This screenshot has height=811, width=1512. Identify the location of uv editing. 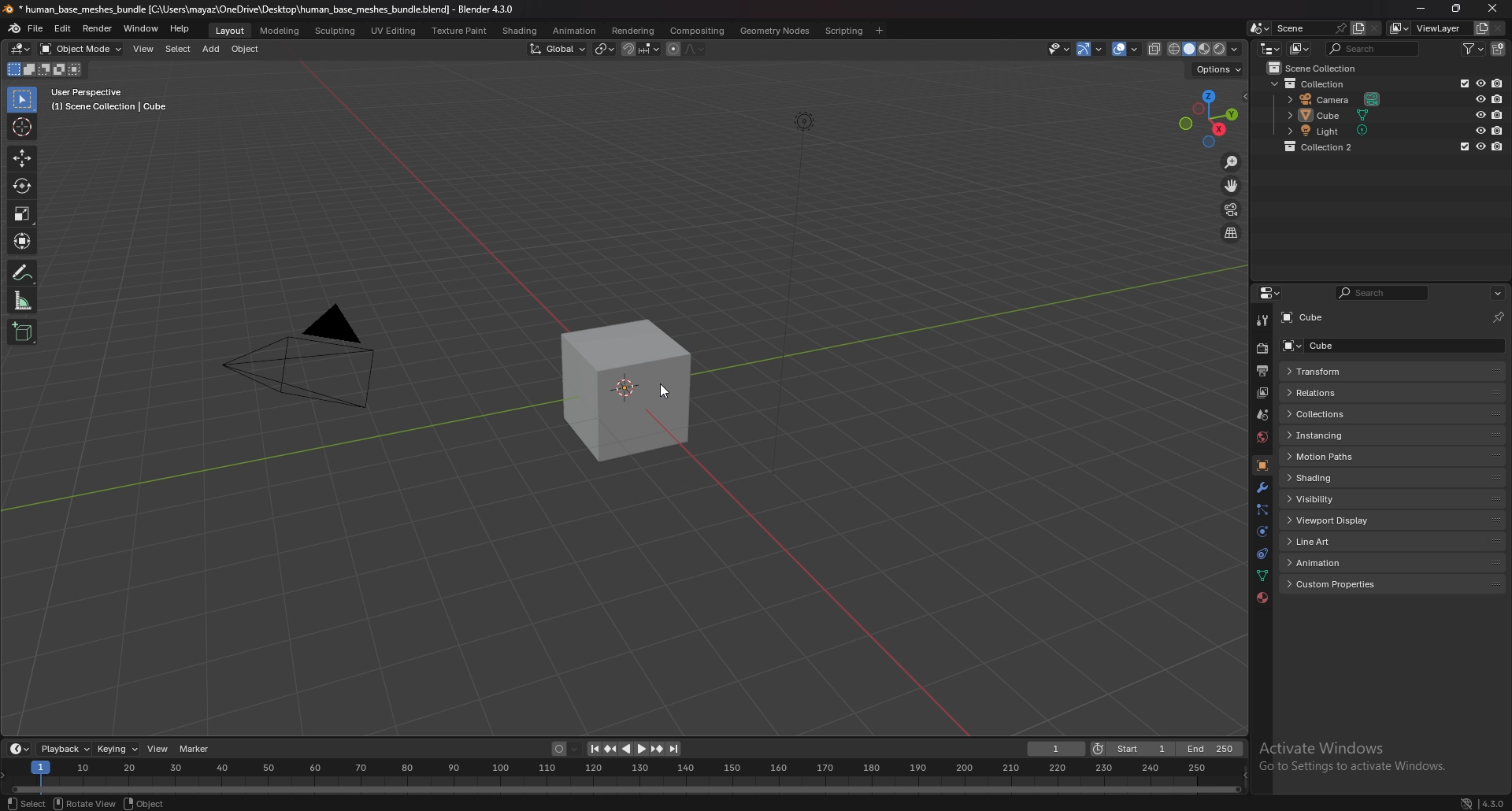
(393, 30).